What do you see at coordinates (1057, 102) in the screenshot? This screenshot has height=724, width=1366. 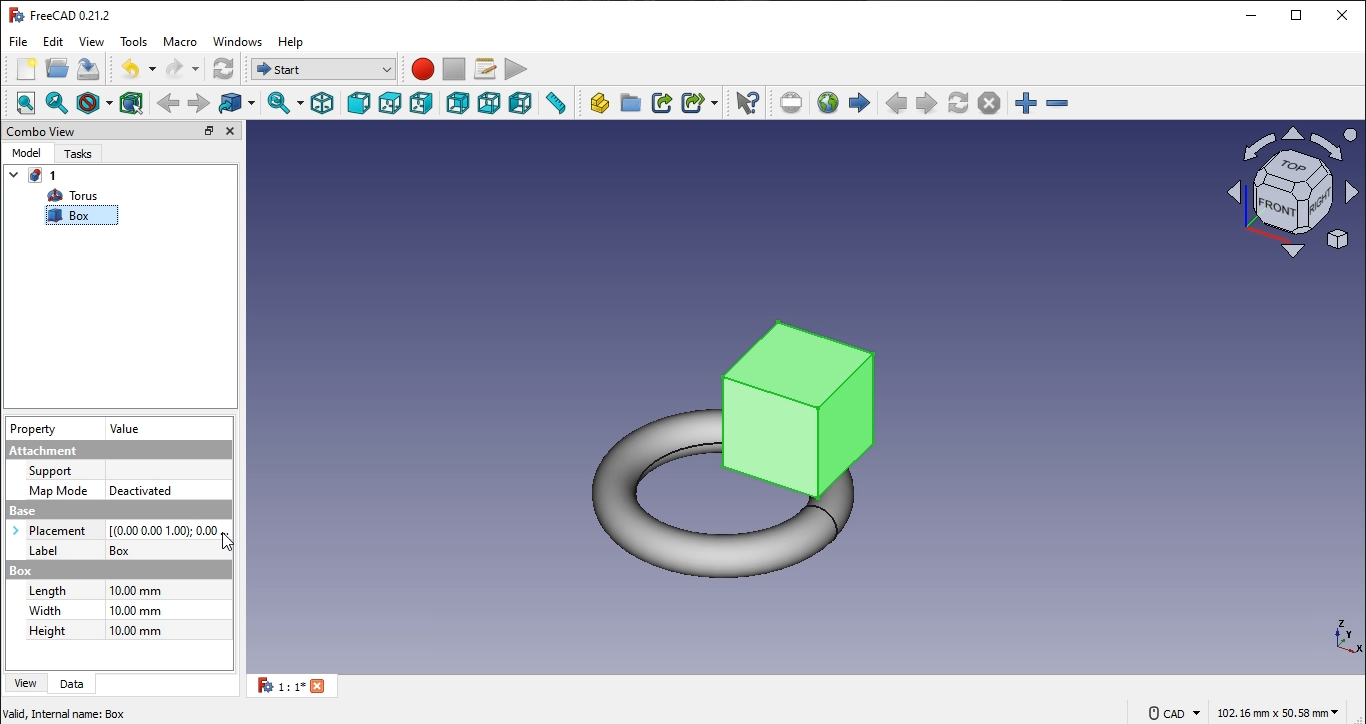 I see `zoom in` at bounding box center [1057, 102].